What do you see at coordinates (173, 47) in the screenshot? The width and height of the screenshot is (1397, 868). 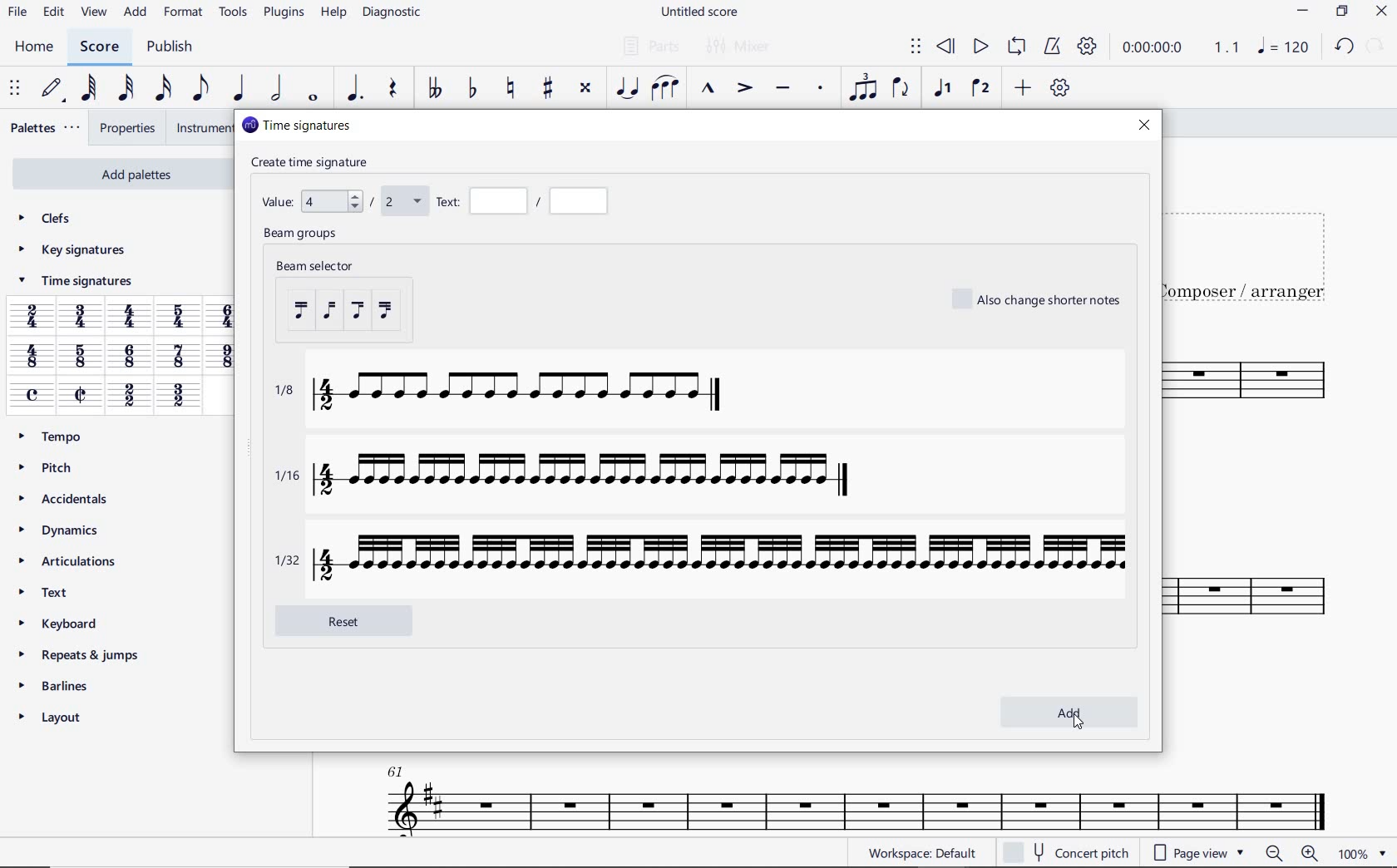 I see `PUBLISH` at bounding box center [173, 47].